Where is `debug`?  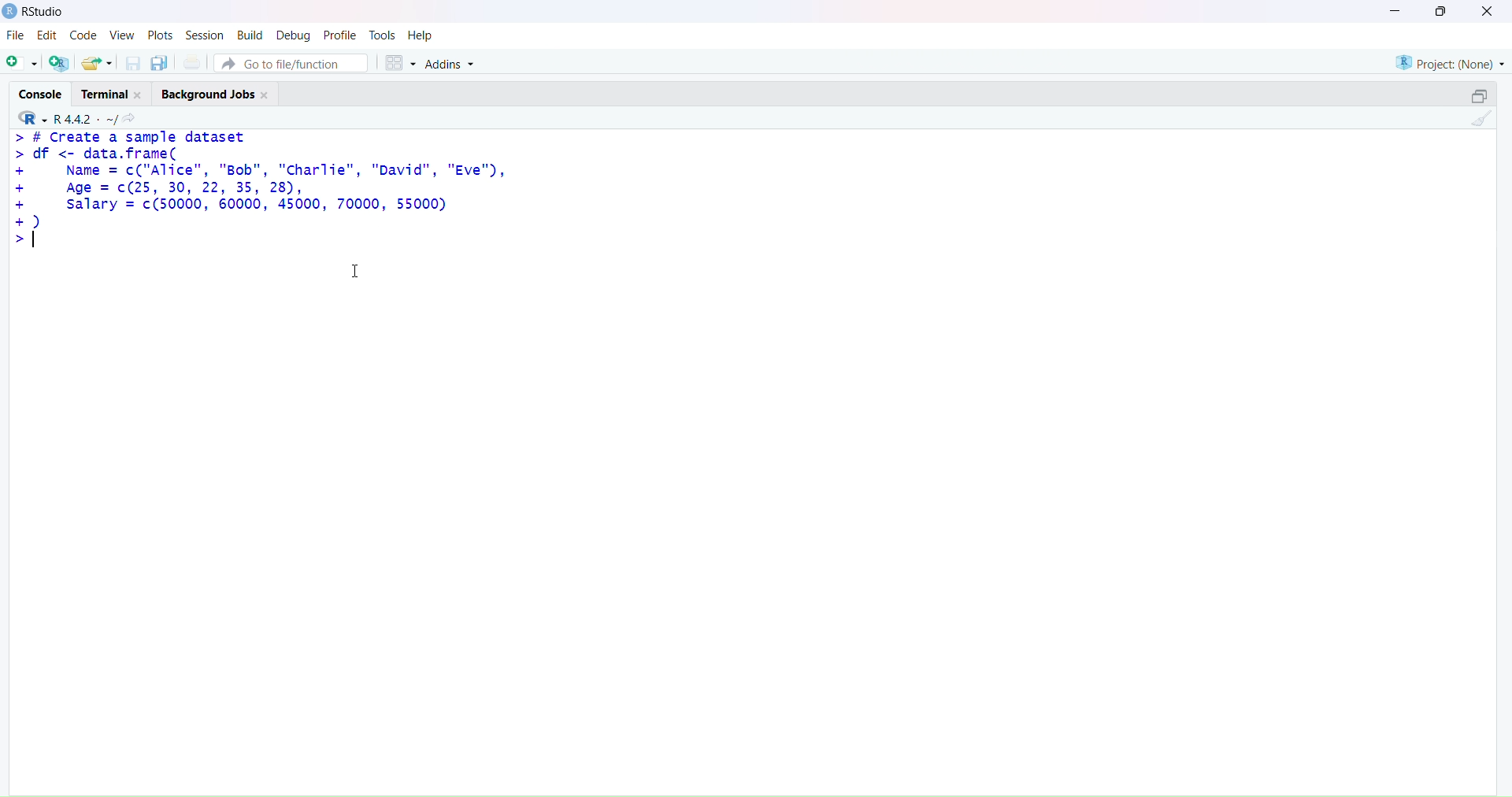 debug is located at coordinates (292, 35).